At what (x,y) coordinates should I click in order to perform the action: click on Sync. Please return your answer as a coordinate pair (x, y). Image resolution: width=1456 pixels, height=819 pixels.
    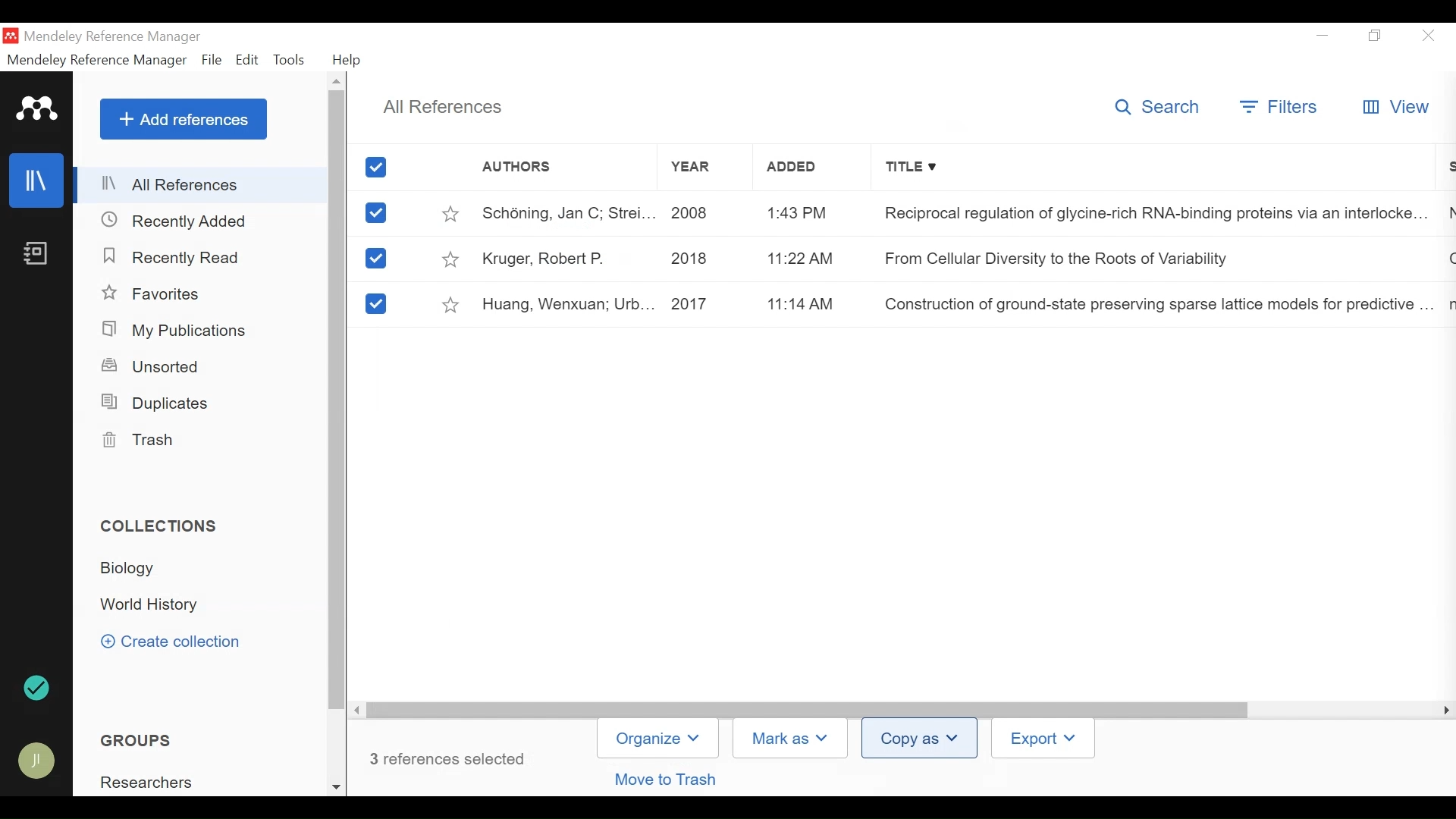
    Looking at the image, I should click on (37, 689).